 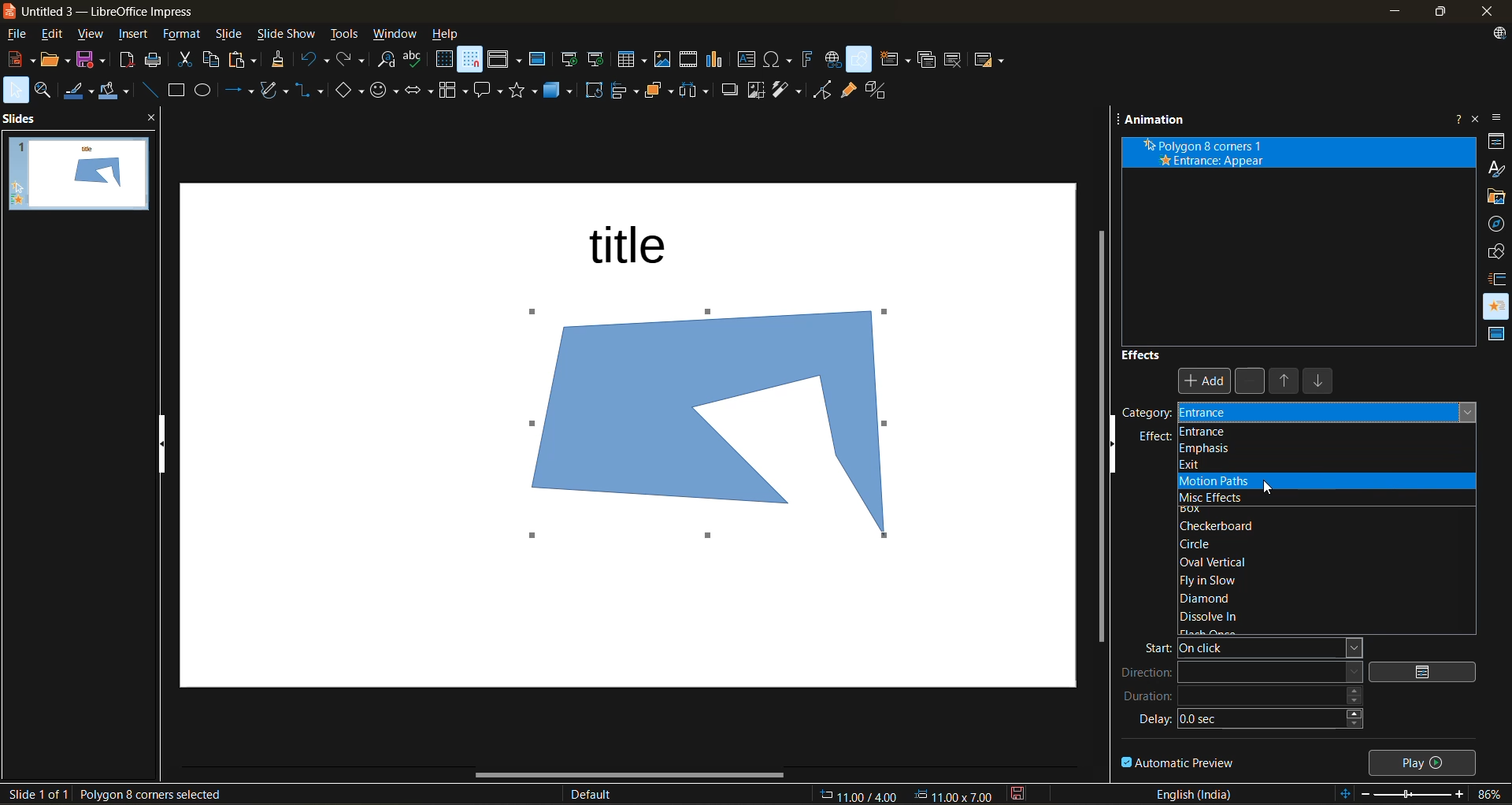 What do you see at coordinates (124, 9) in the screenshot?
I see `untitled 3 - LibreOffice Impress` at bounding box center [124, 9].